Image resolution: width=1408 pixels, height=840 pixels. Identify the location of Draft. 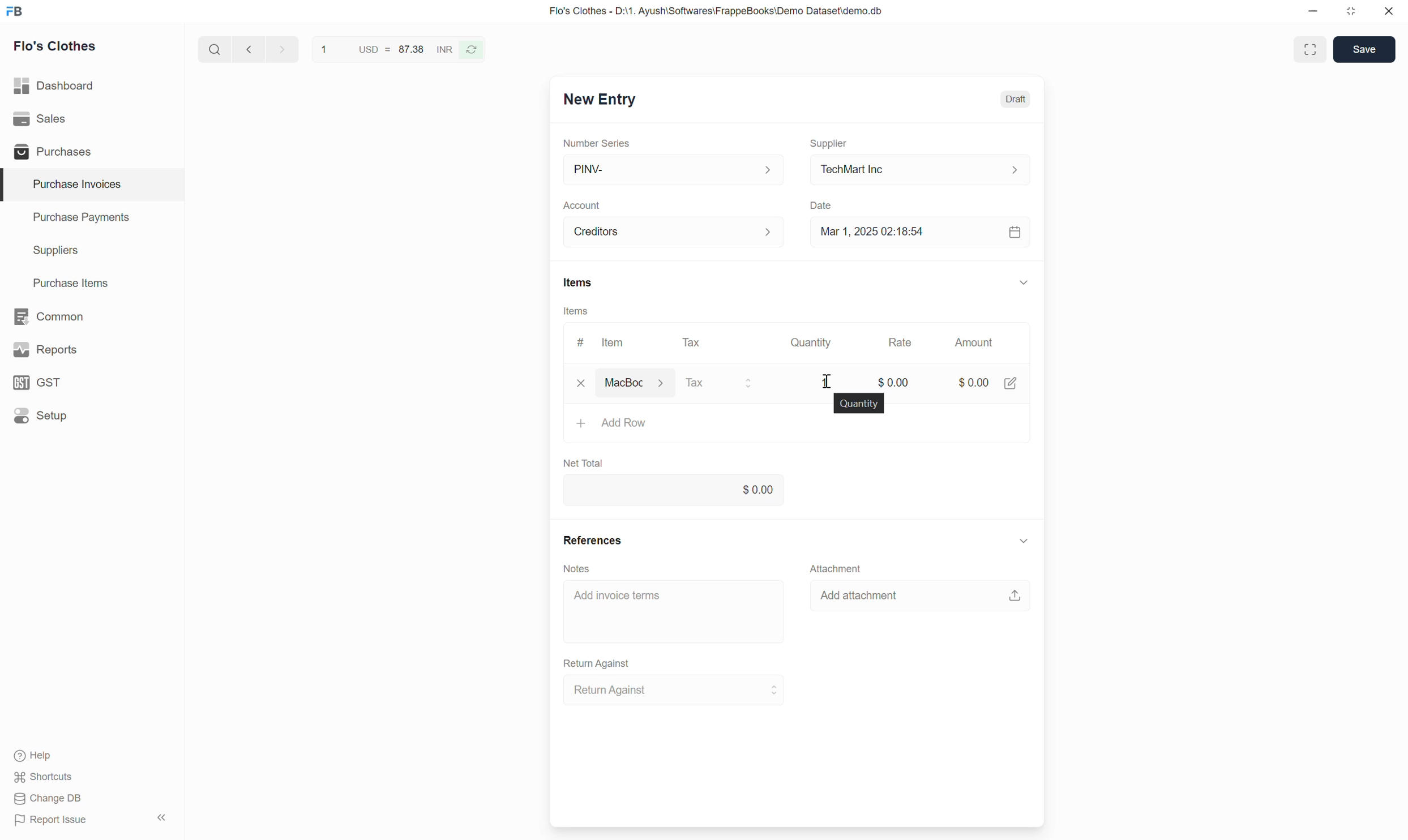
(1016, 100).